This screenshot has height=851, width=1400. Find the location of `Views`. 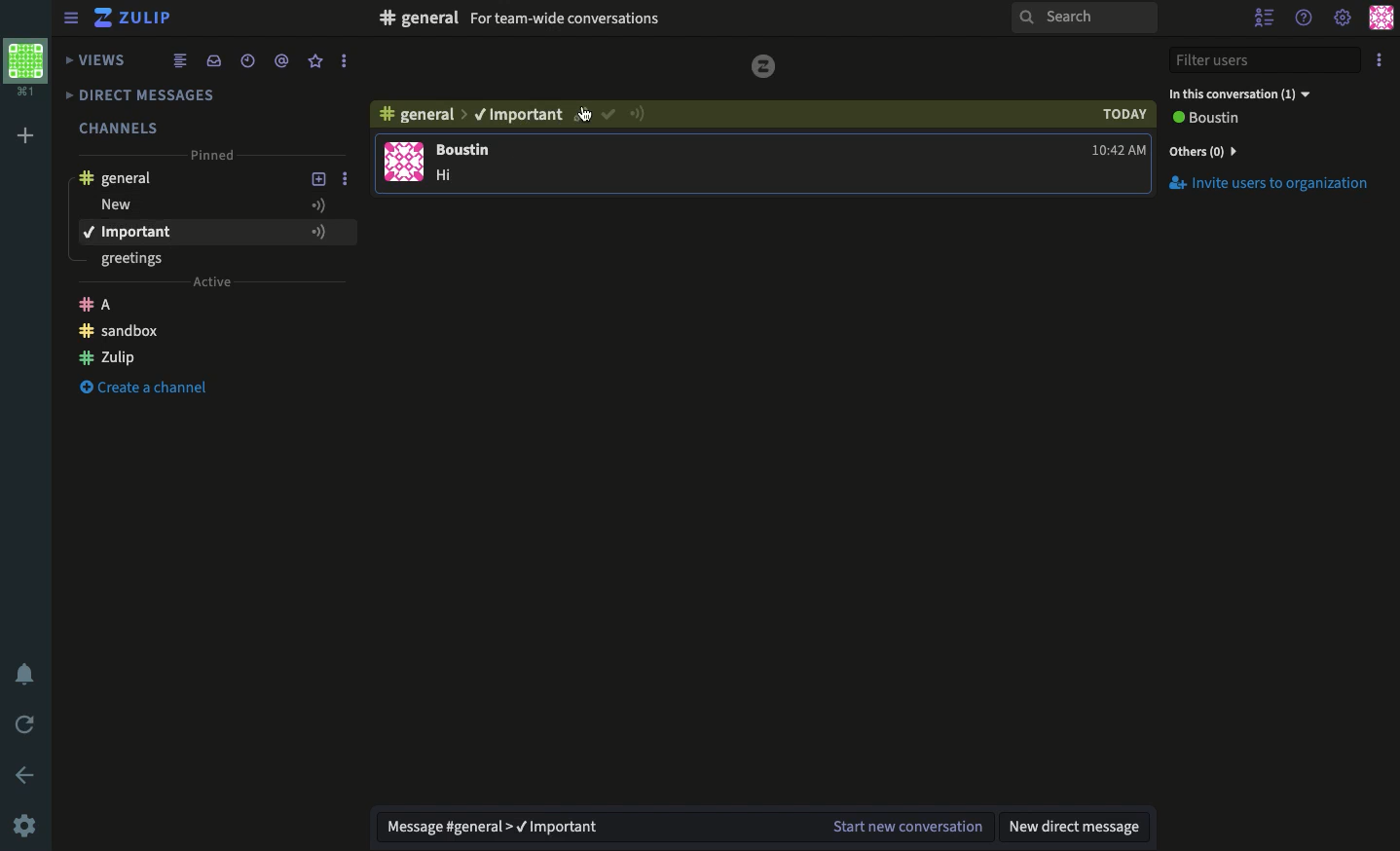

Views is located at coordinates (97, 57).